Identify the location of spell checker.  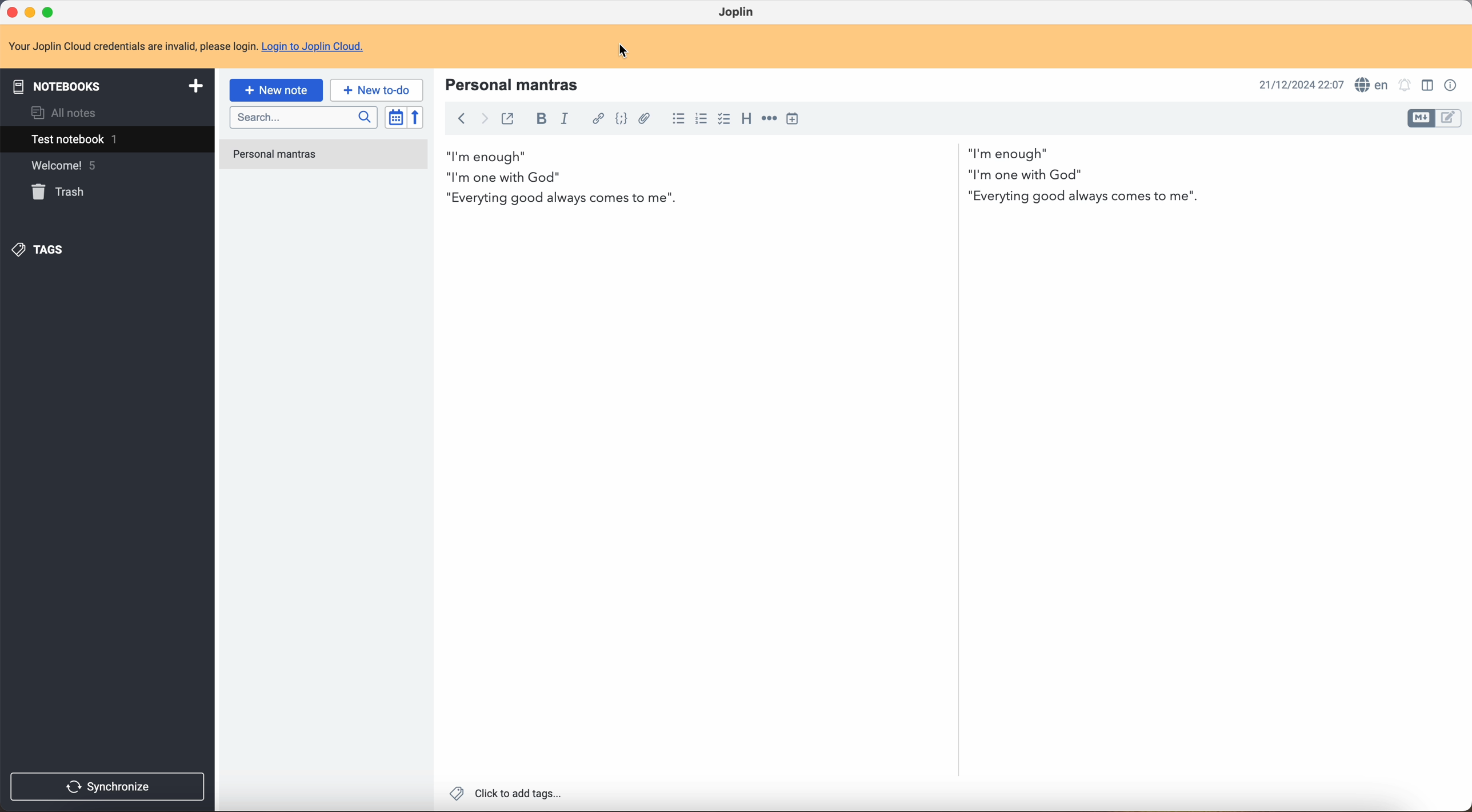
(1373, 83).